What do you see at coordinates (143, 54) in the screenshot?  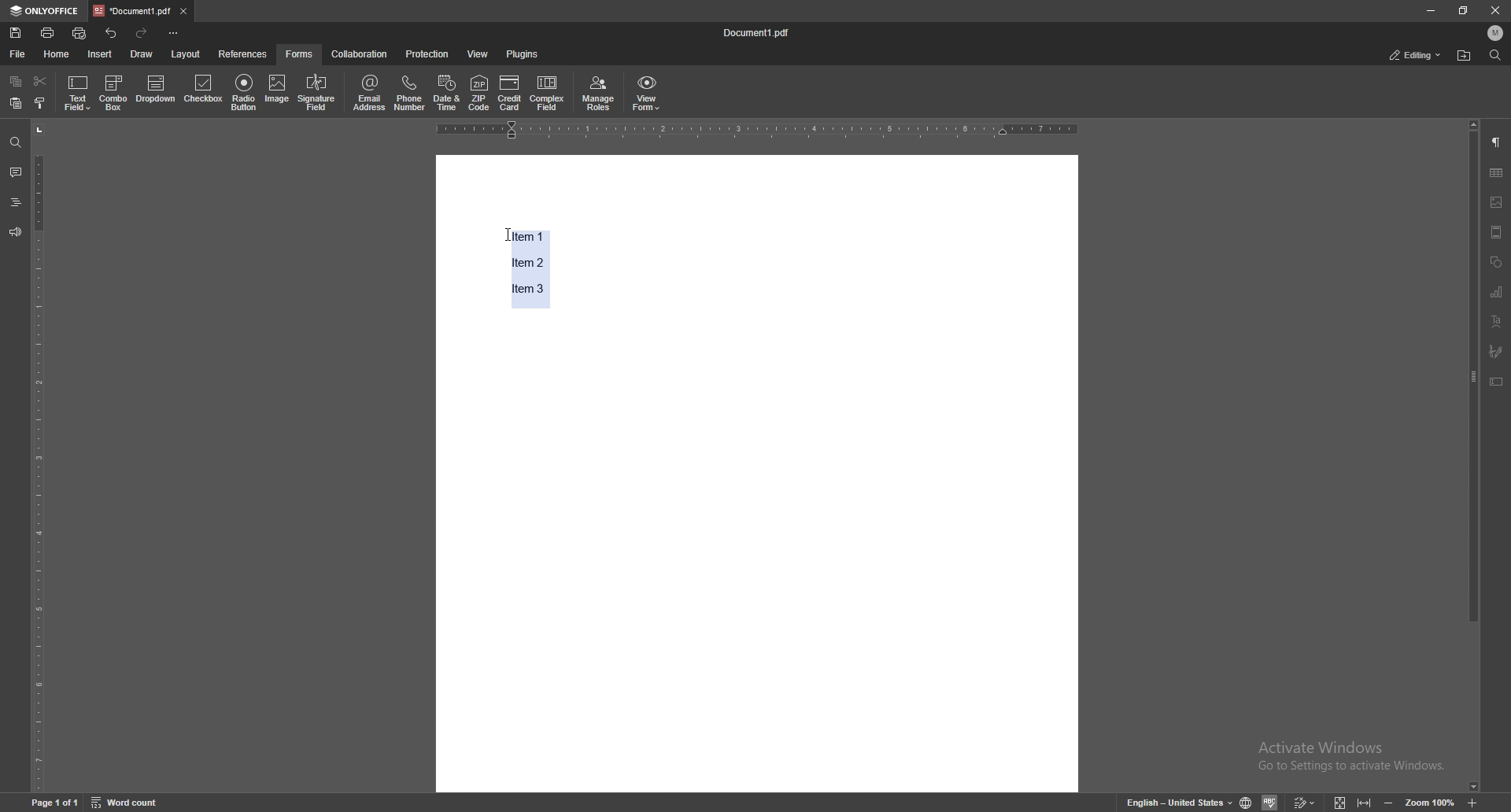 I see `draw` at bounding box center [143, 54].